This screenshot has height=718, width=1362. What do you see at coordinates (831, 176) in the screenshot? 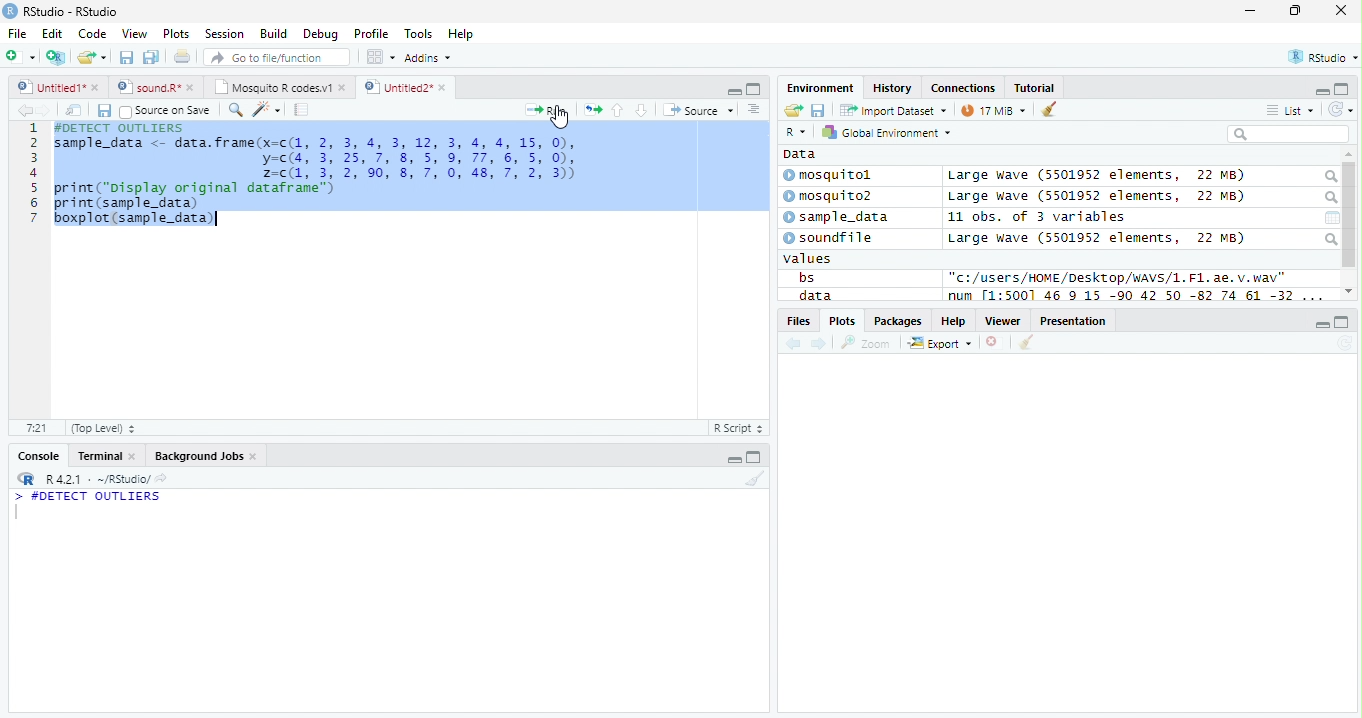
I see `mosquito1` at bounding box center [831, 176].